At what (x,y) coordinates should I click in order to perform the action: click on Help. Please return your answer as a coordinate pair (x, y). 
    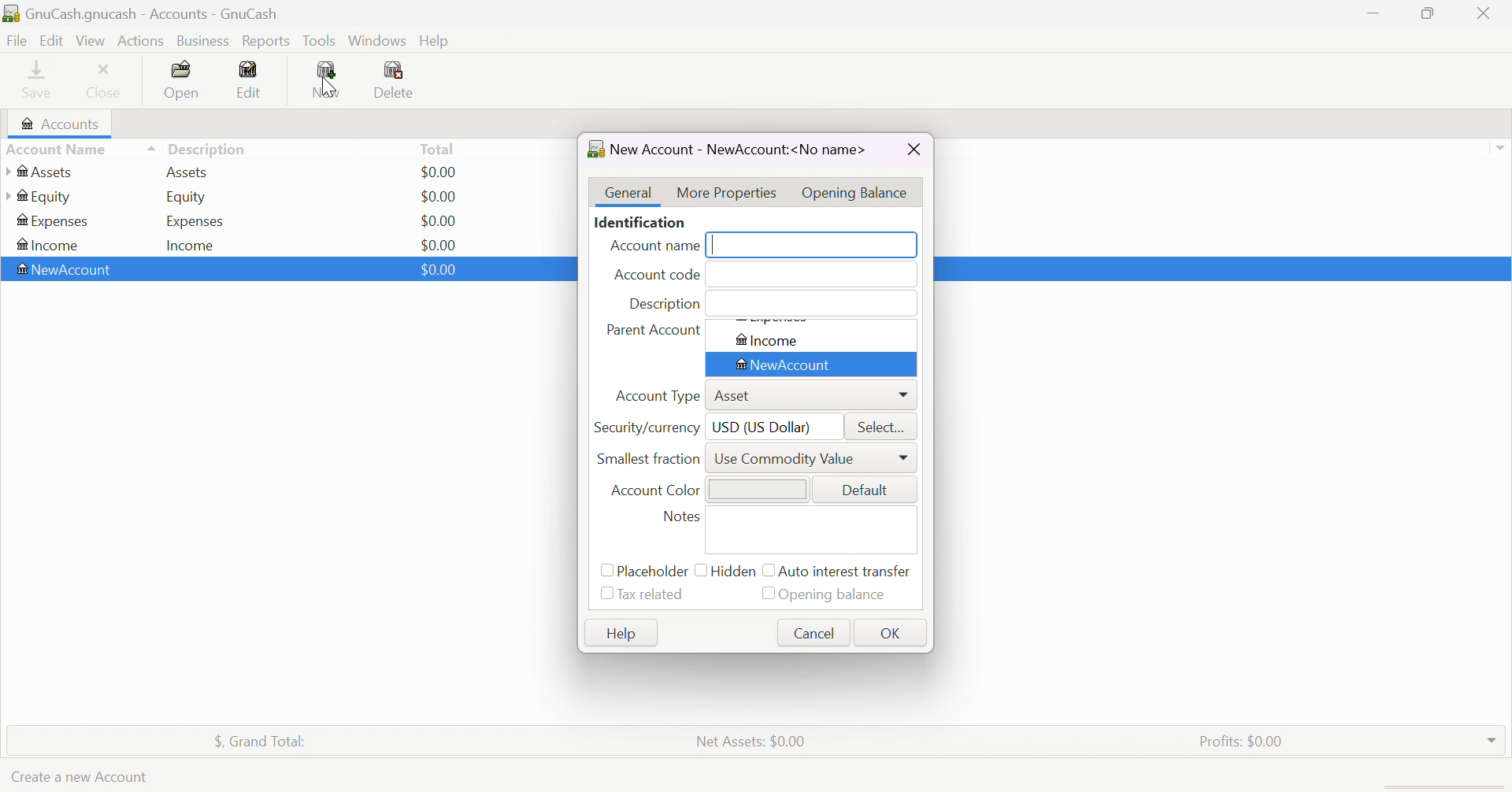
    Looking at the image, I should click on (623, 632).